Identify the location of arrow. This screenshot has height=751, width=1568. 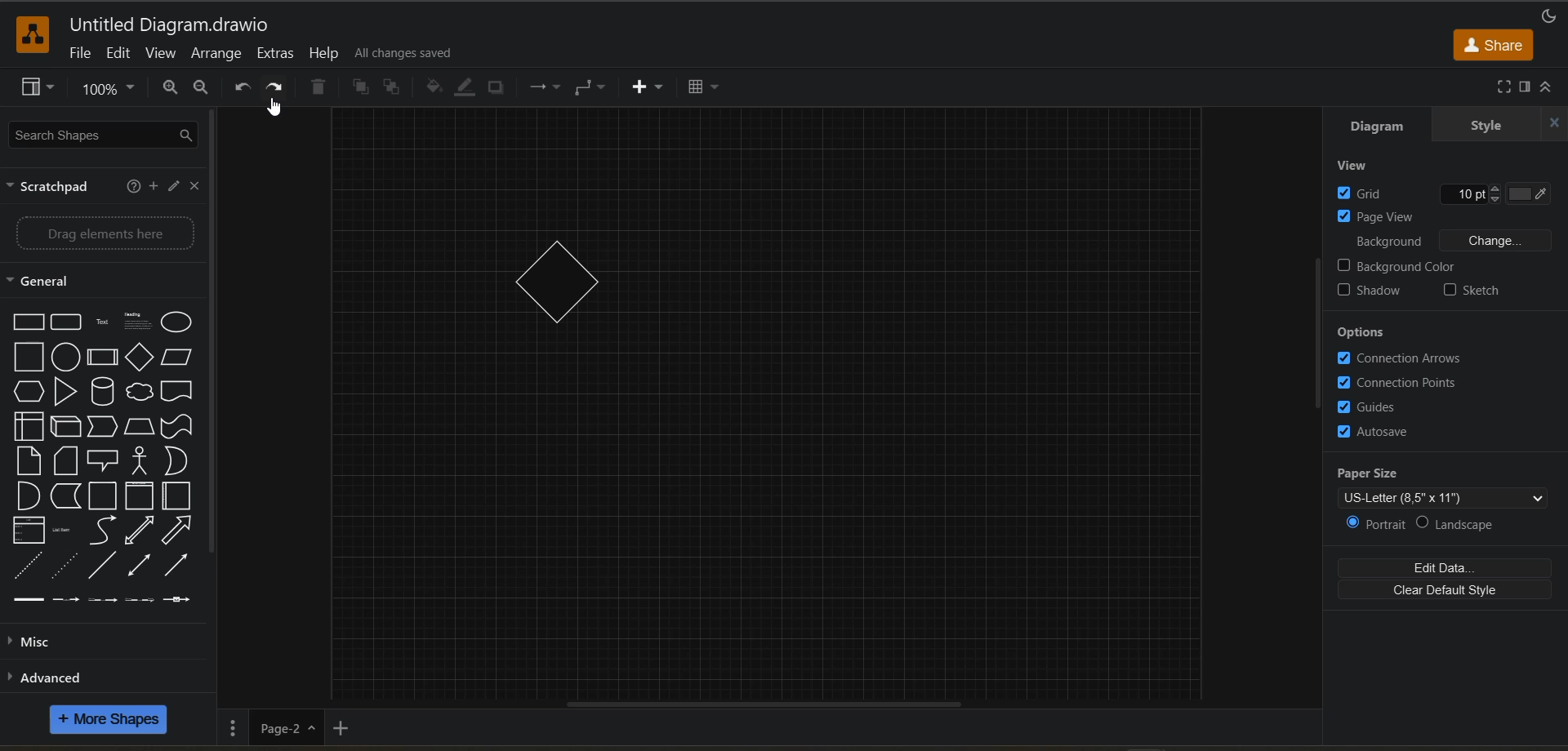
(179, 531).